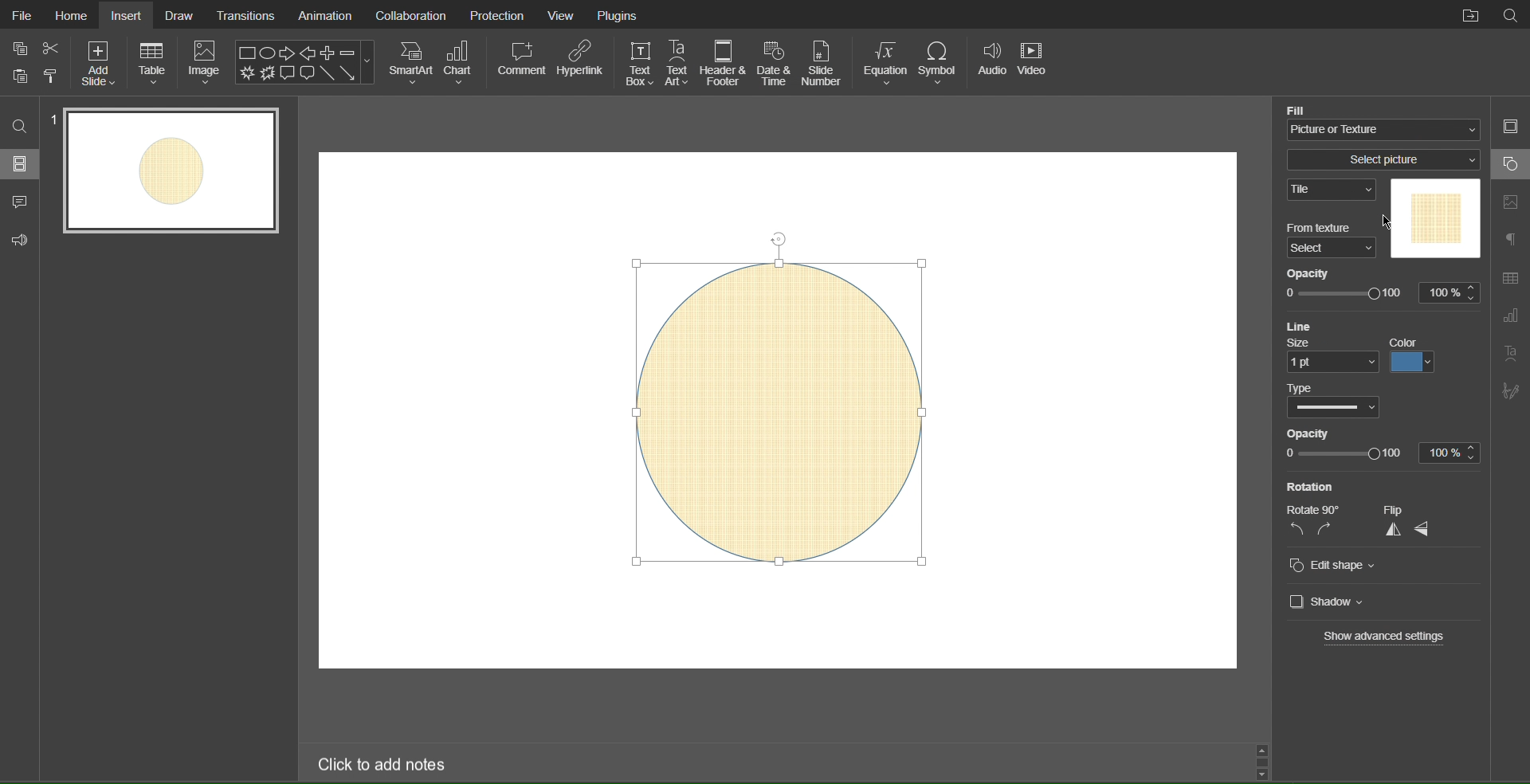  What do you see at coordinates (465, 64) in the screenshot?
I see `Chart` at bounding box center [465, 64].